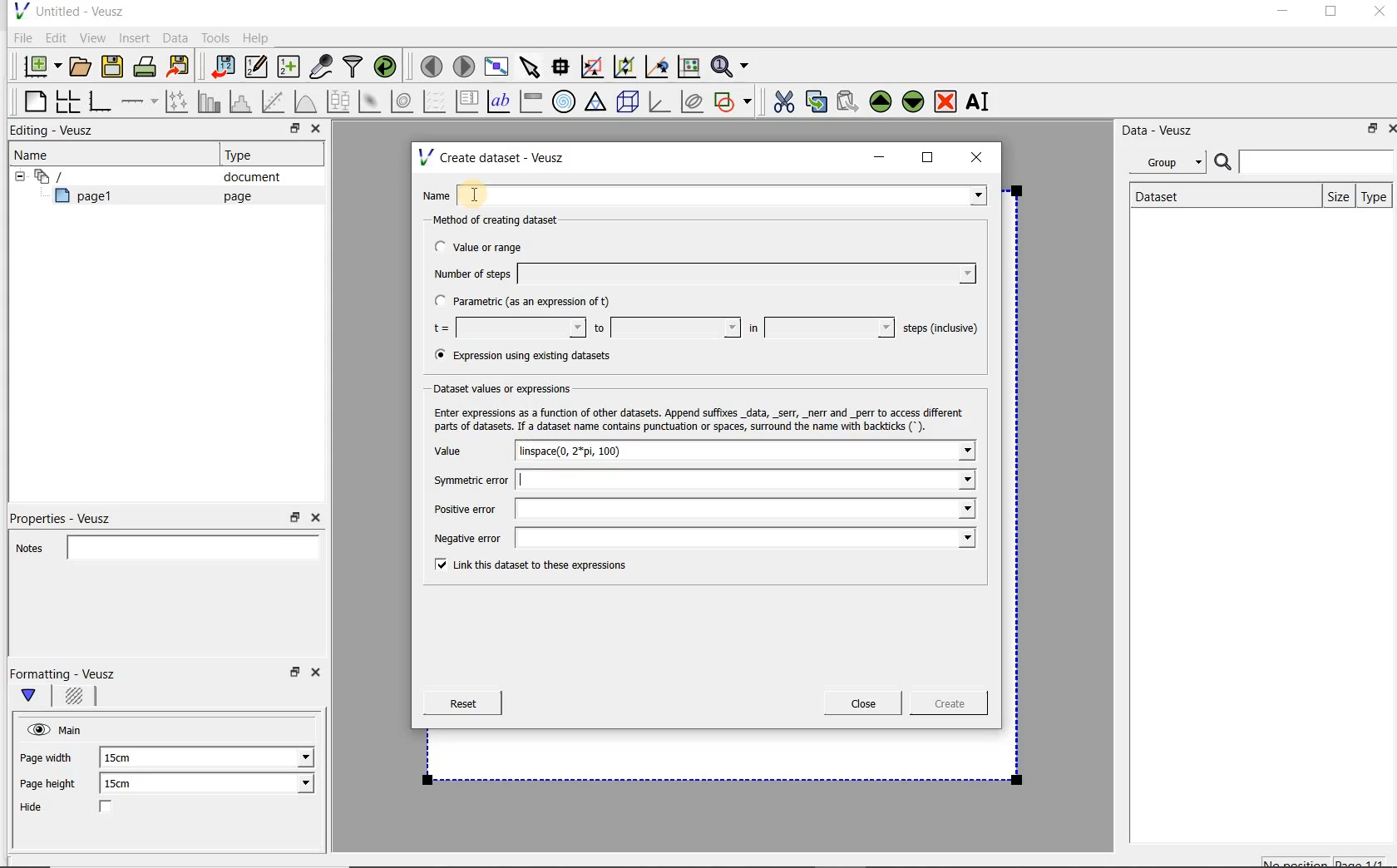  What do you see at coordinates (1166, 195) in the screenshot?
I see `Dataset` at bounding box center [1166, 195].